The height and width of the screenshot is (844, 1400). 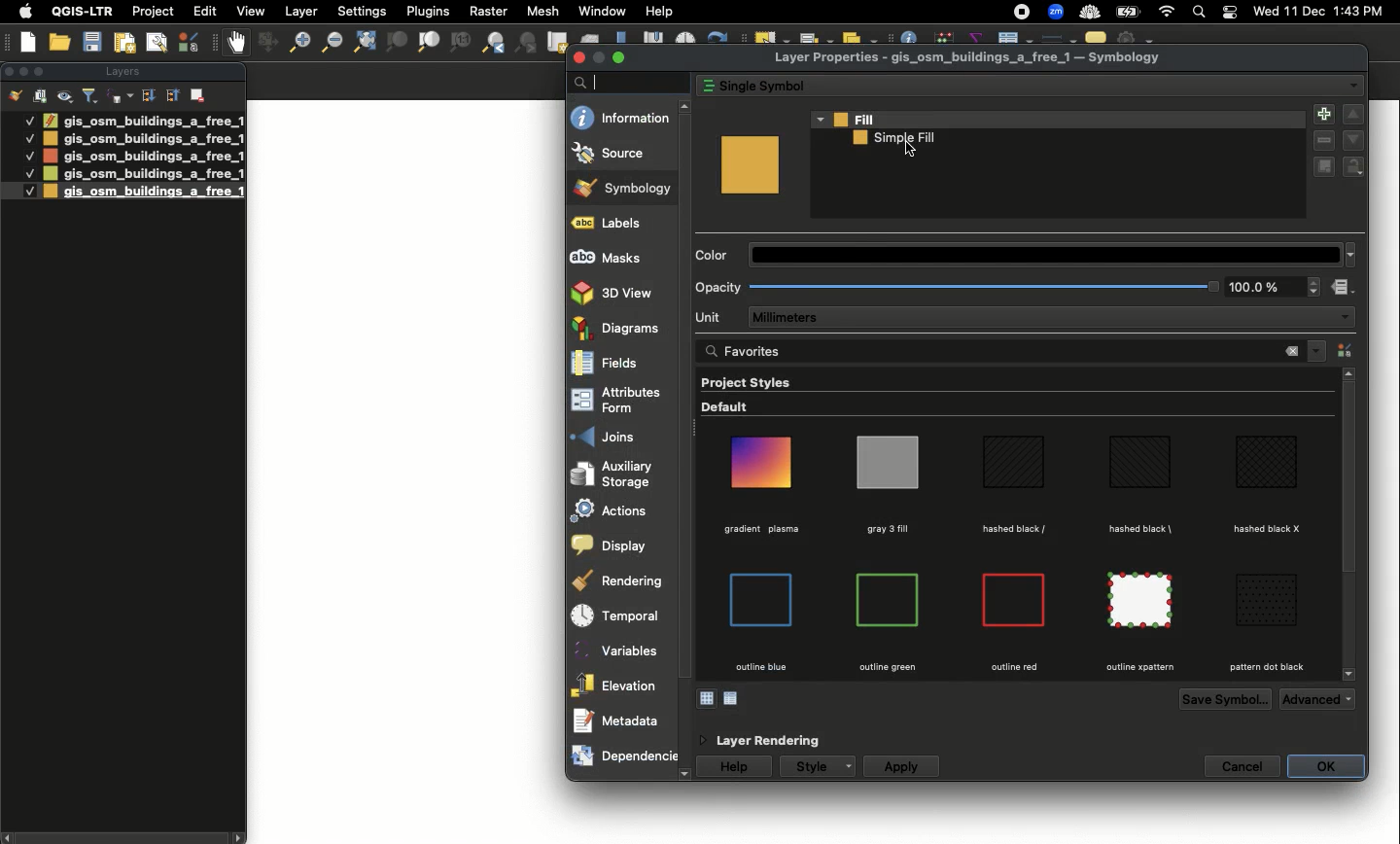 What do you see at coordinates (621, 117) in the screenshot?
I see `Information` at bounding box center [621, 117].